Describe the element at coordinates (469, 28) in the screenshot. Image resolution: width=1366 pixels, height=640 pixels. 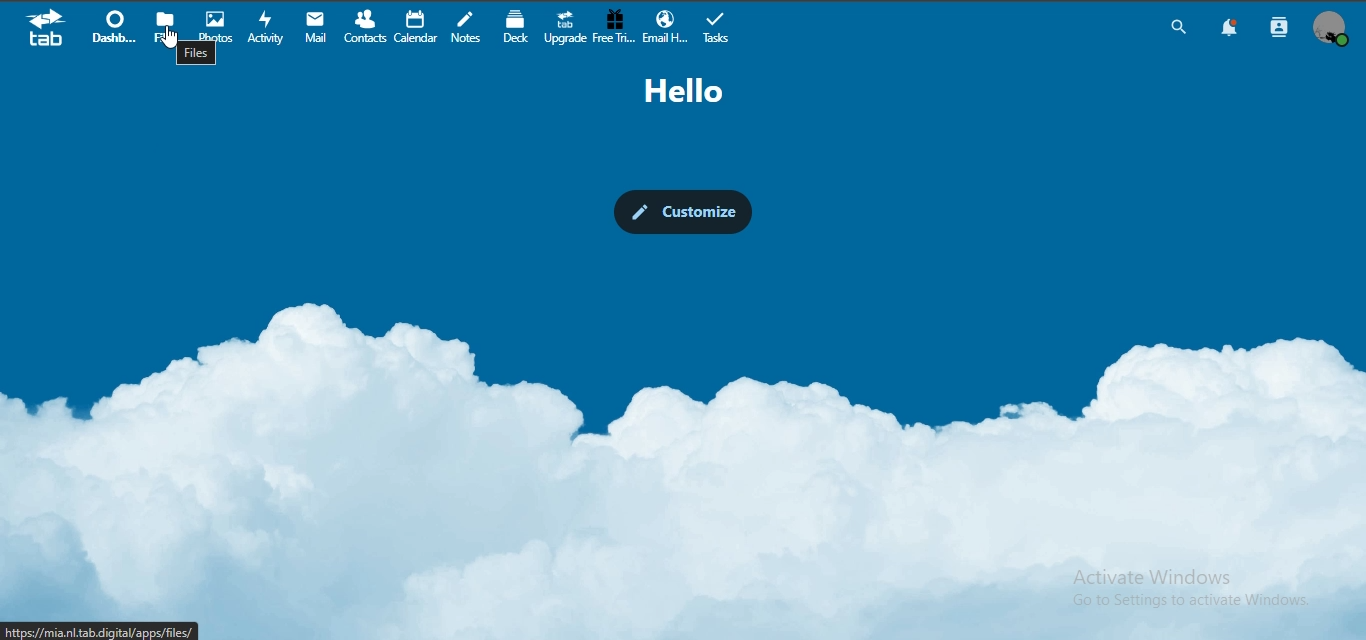
I see `notes` at that location.